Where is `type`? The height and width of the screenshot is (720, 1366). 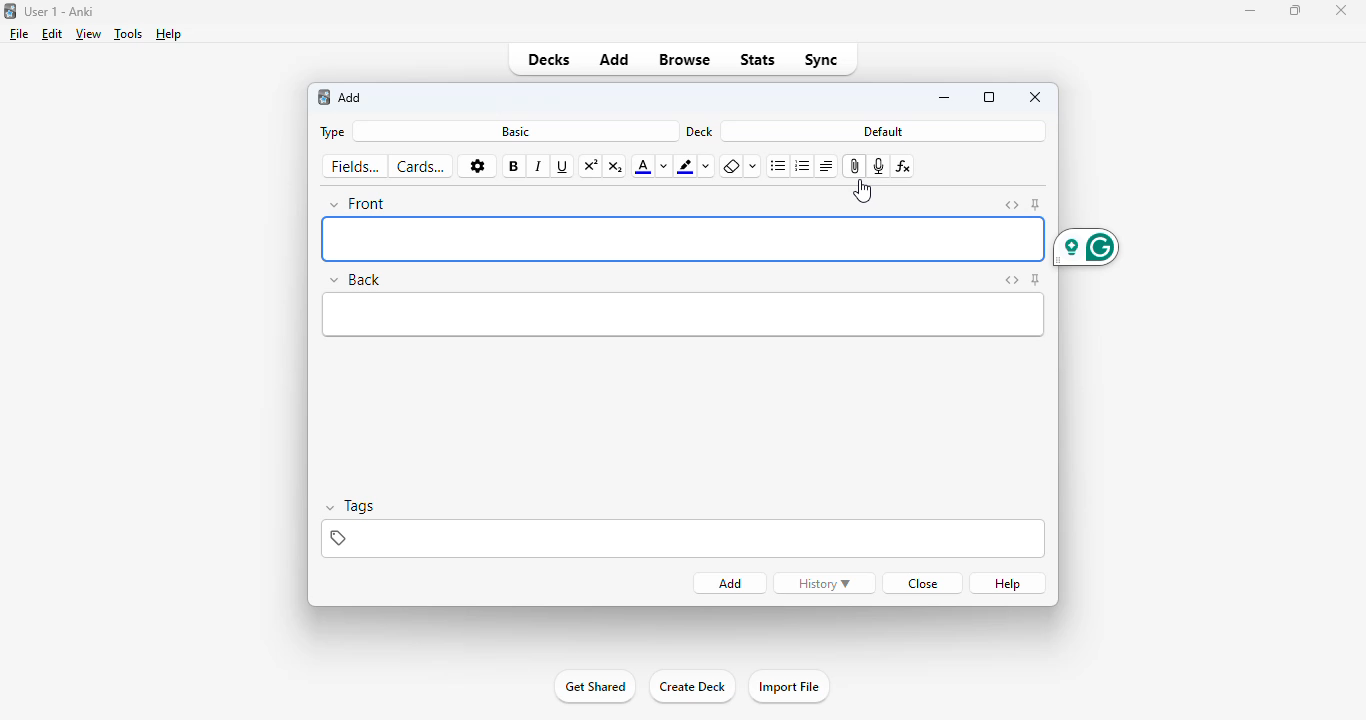 type is located at coordinates (333, 133).